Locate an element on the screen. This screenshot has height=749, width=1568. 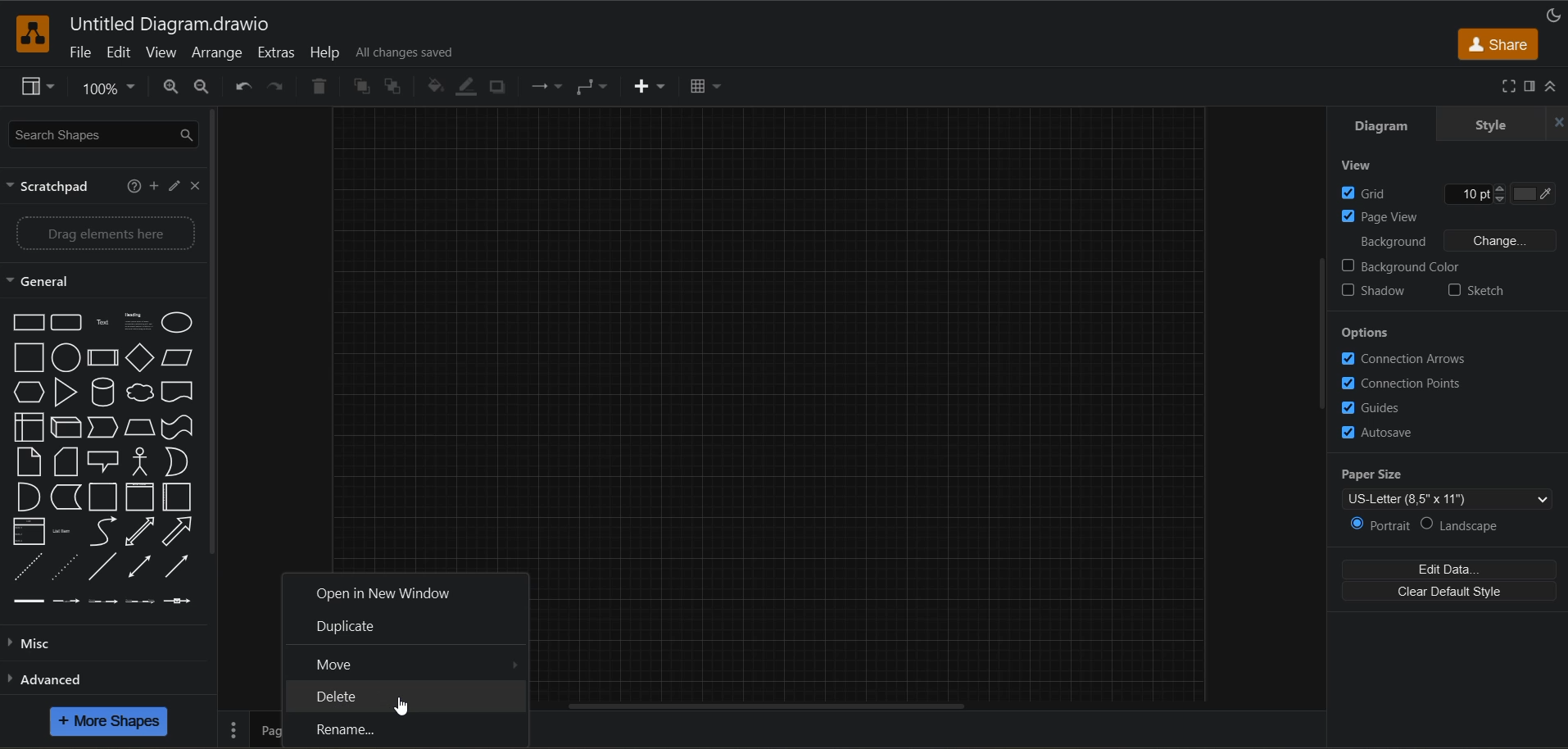
paper size is located at coordinates (1452, 487).